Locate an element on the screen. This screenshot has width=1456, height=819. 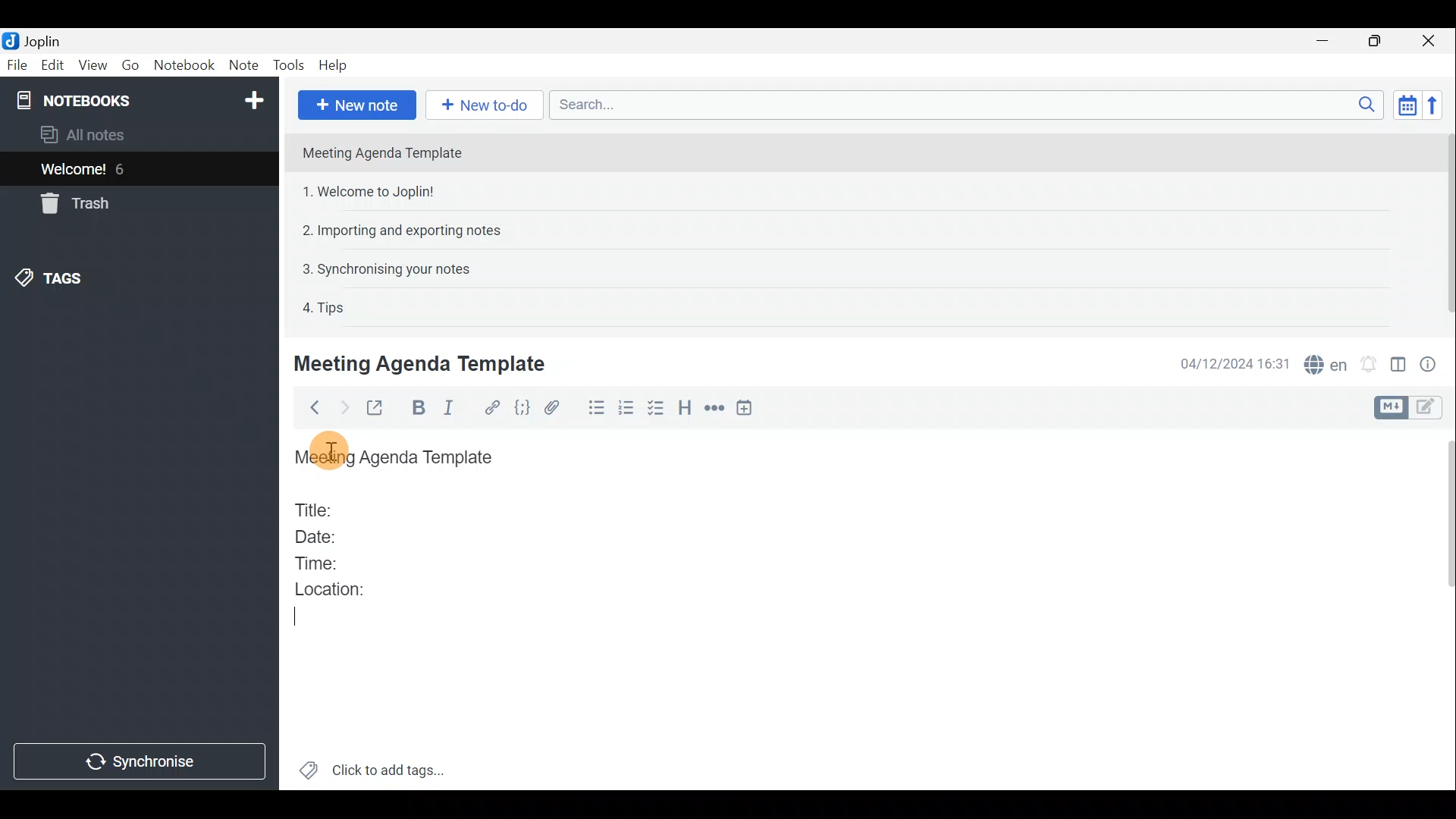
Hyperlink is located at coordinates (494, 408).